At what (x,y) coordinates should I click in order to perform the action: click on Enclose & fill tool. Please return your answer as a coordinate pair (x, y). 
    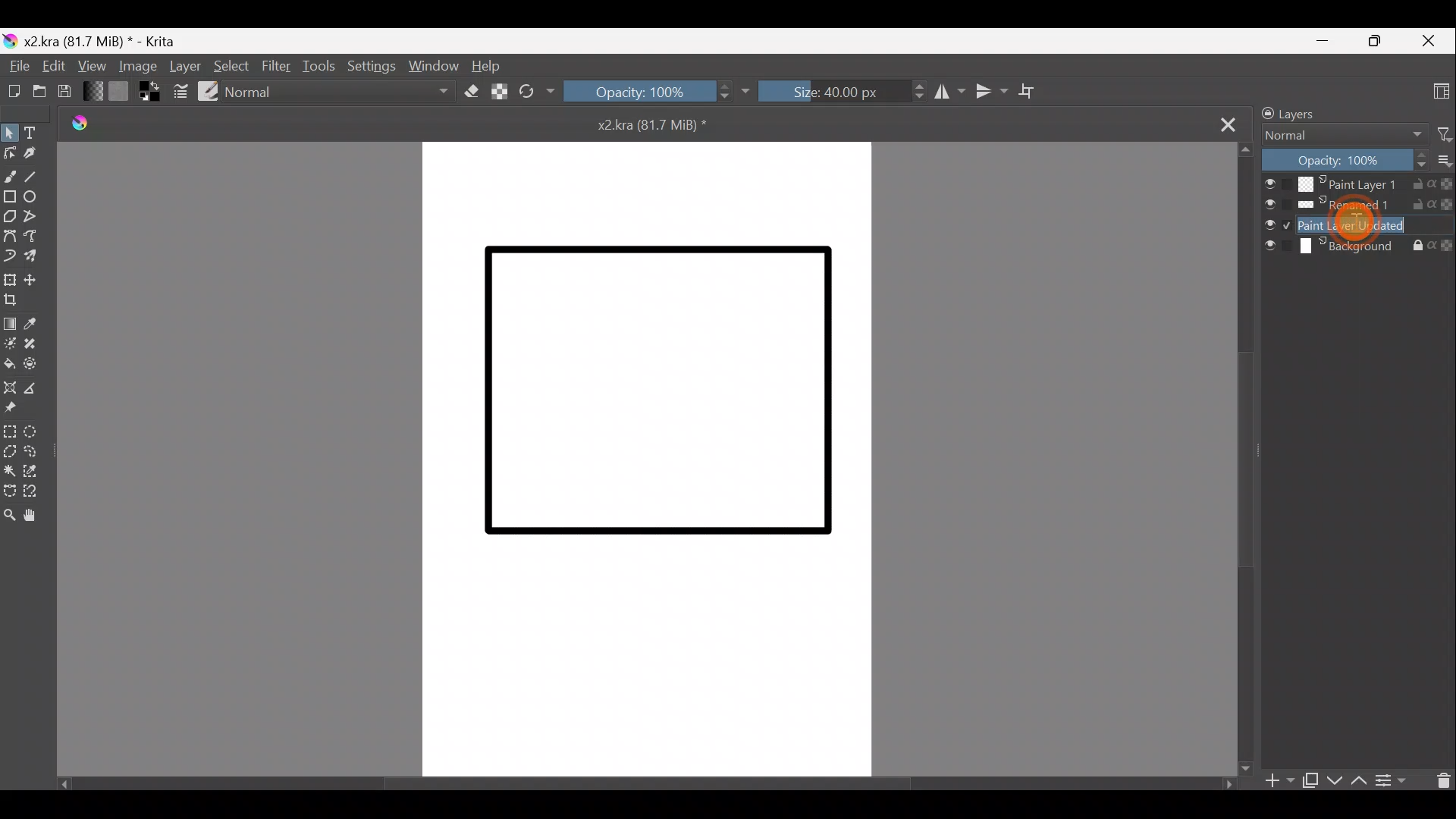
    Looking at the image, I should click on (38, 366).